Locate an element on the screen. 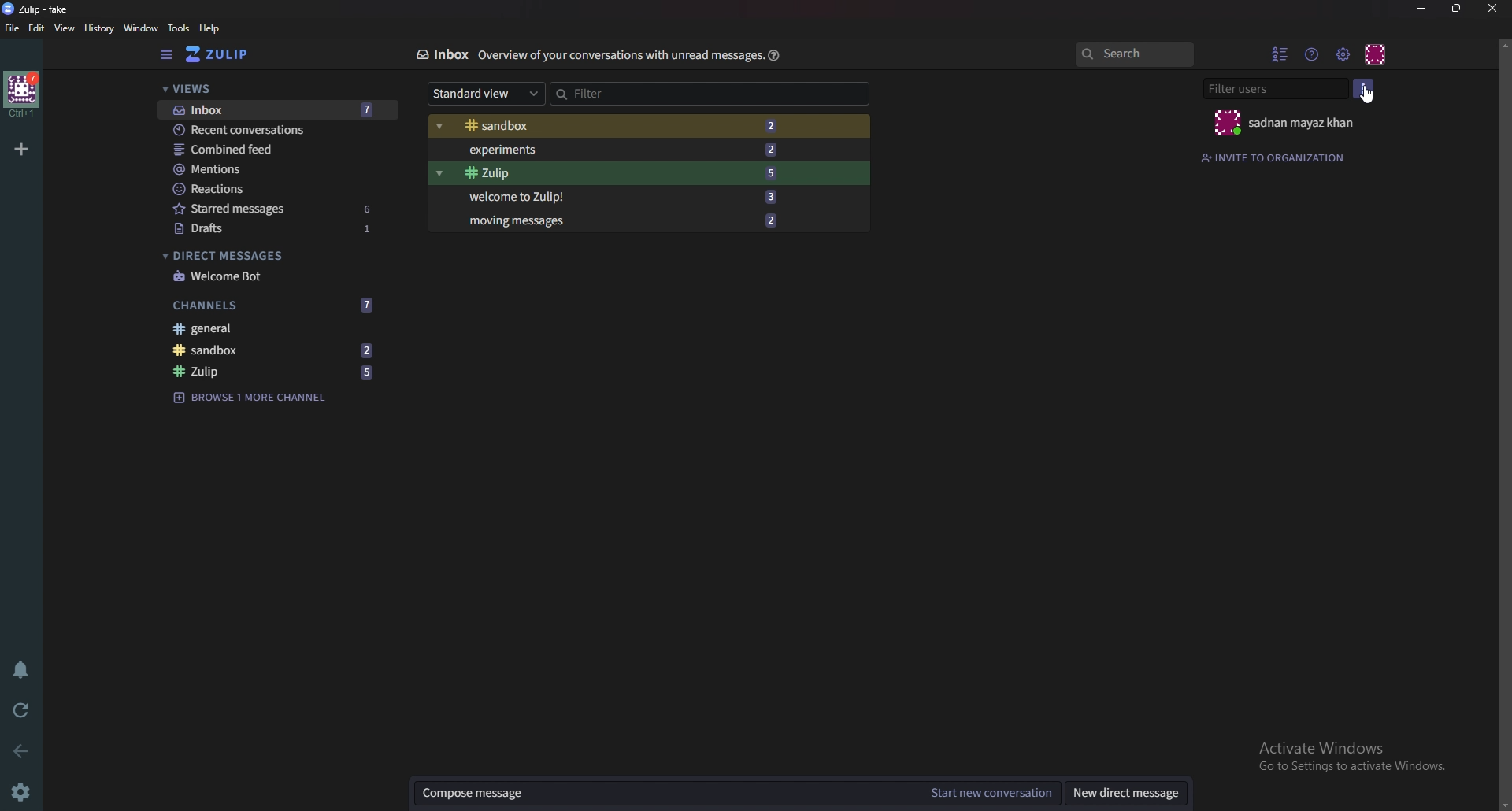  Inbox is located at coordinates (273, 109).